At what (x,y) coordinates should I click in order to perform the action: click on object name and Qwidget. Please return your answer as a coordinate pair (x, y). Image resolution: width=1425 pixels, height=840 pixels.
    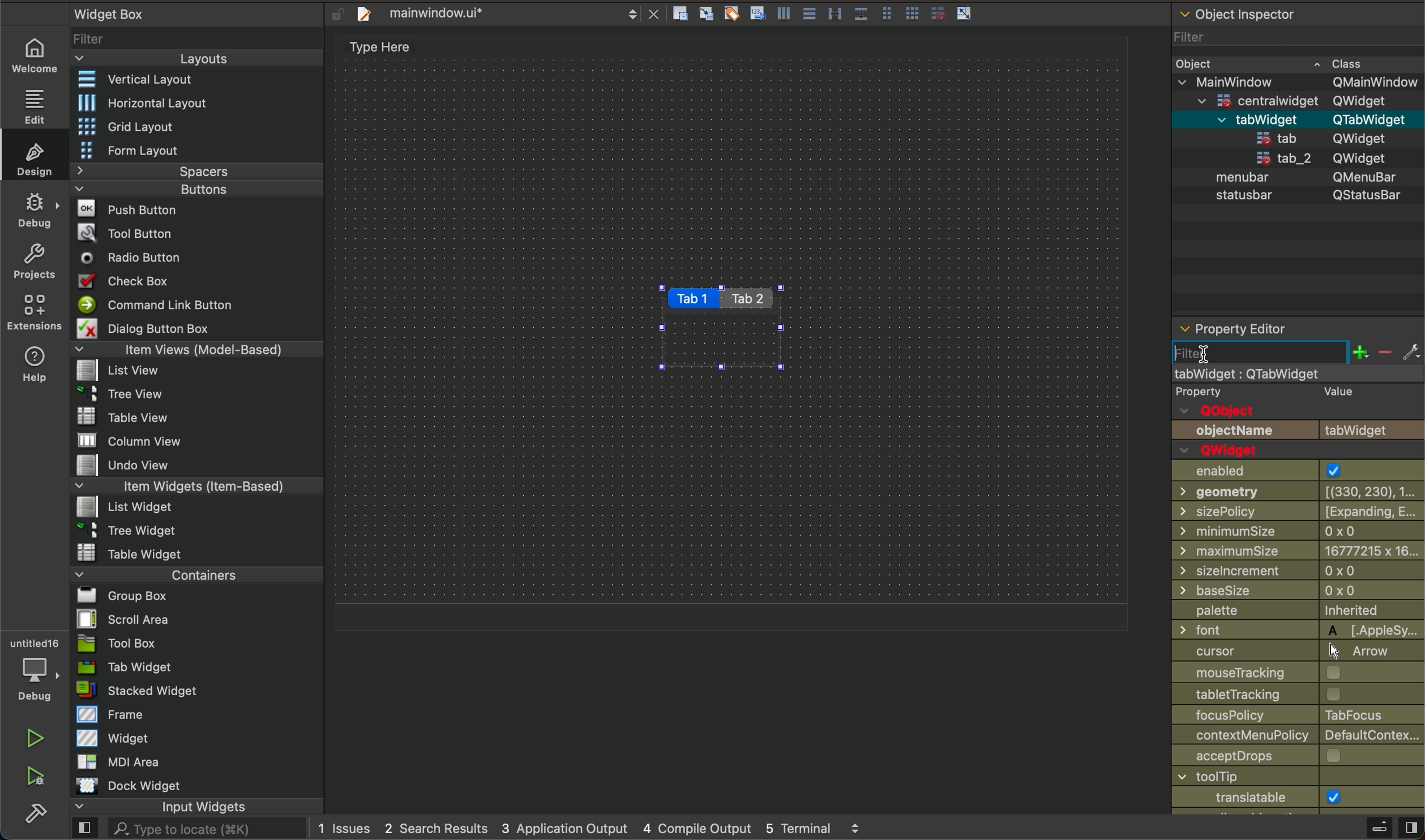
    Looking at the image, I should click on (1303, 440).